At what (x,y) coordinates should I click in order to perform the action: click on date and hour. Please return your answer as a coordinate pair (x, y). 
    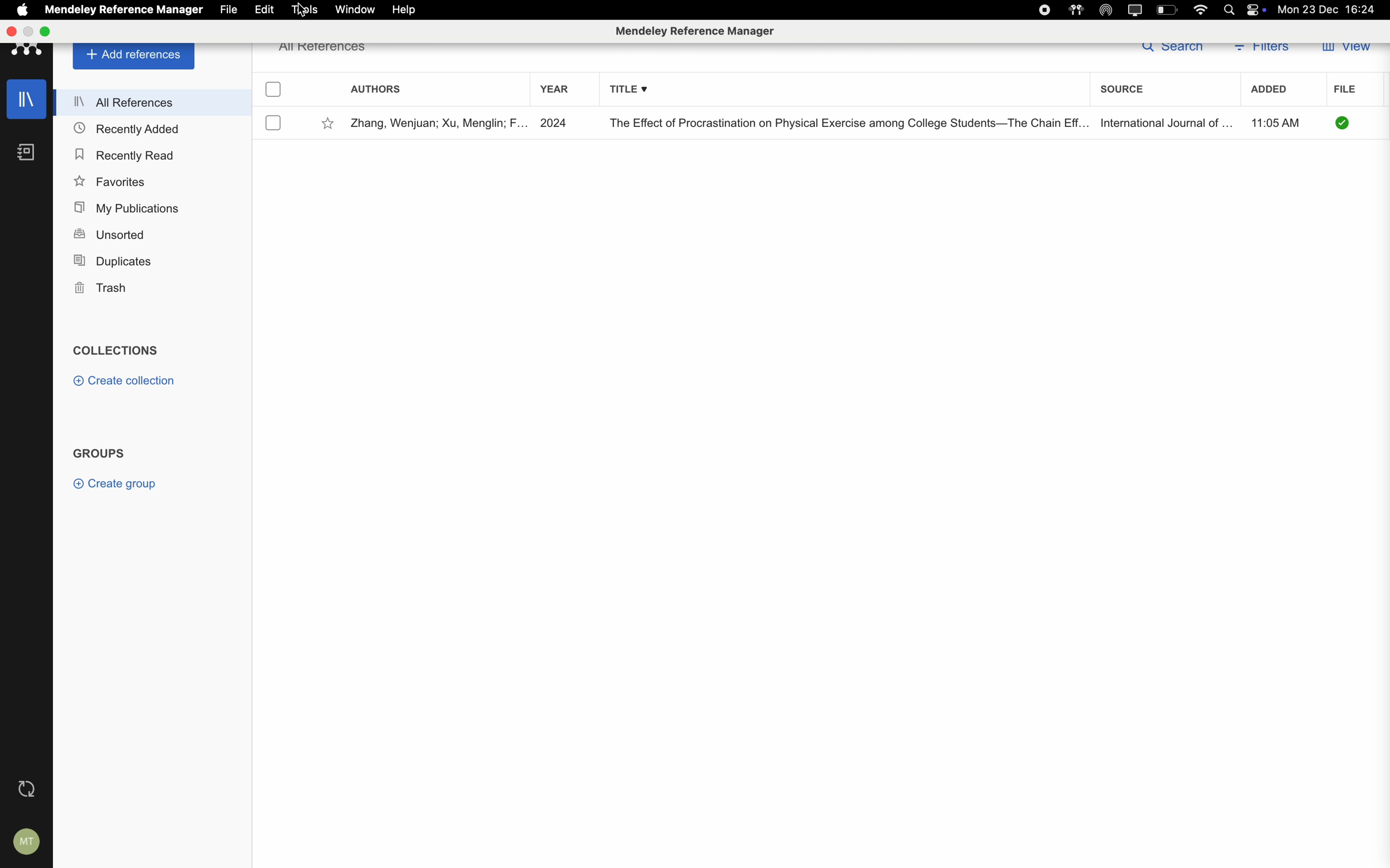
    Looking at the image, I should click on (1327, 9).